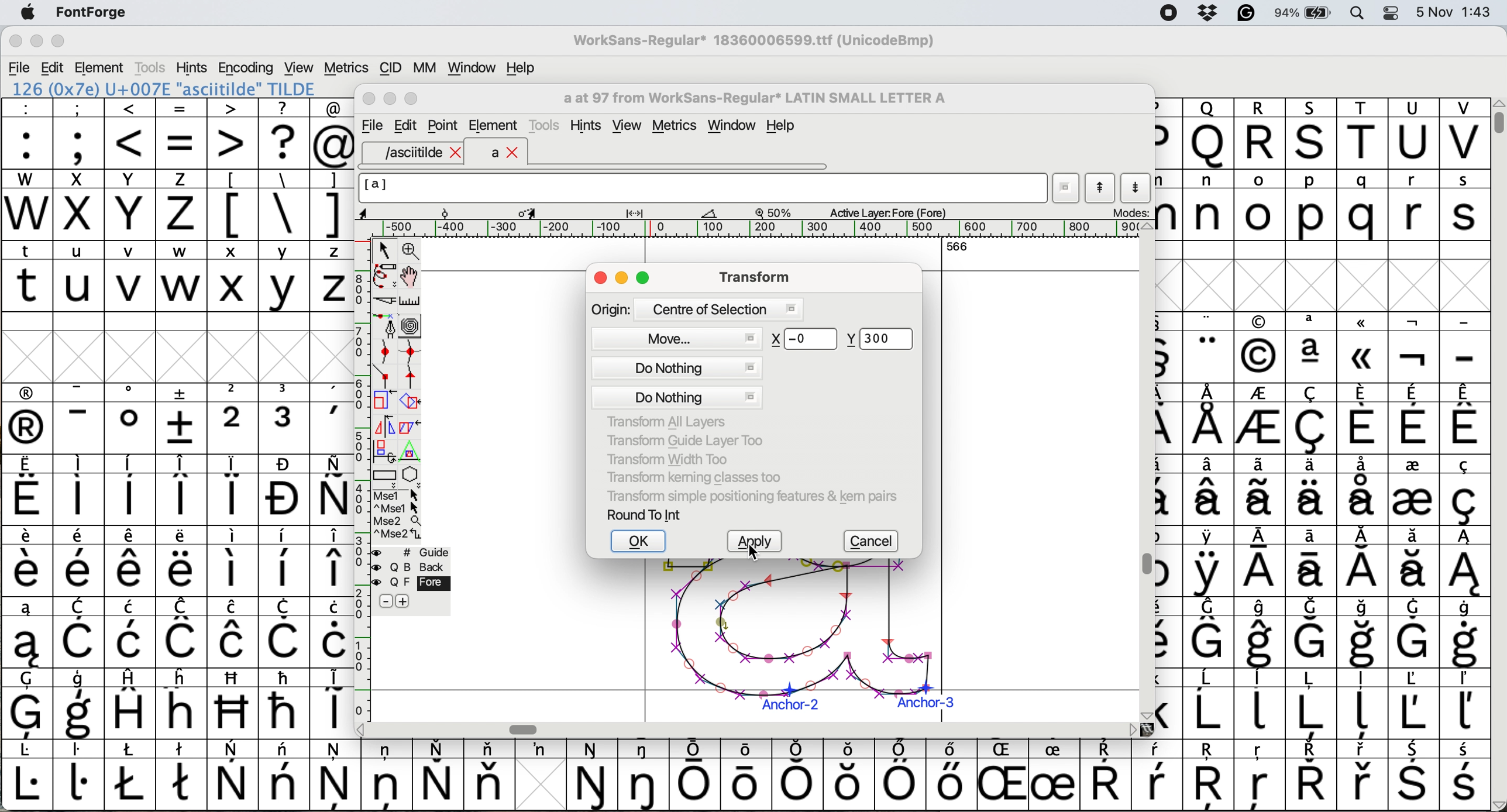  What do you see at coordinates (527, 729) in the screenshot?
I see `Horizontal scroll bar` at bounding box center [527, 729].